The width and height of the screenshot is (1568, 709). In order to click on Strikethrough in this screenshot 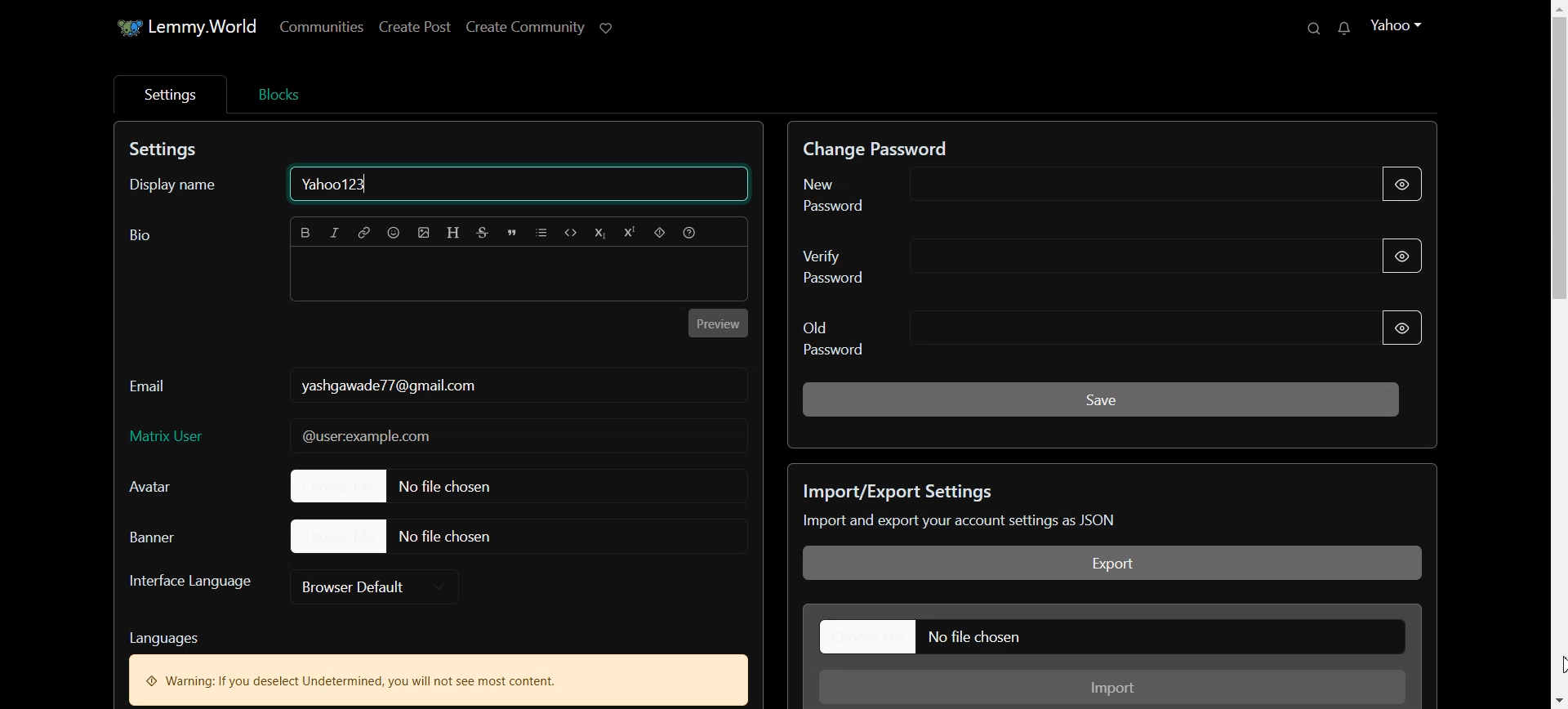, I will do `click(483, 234)`.